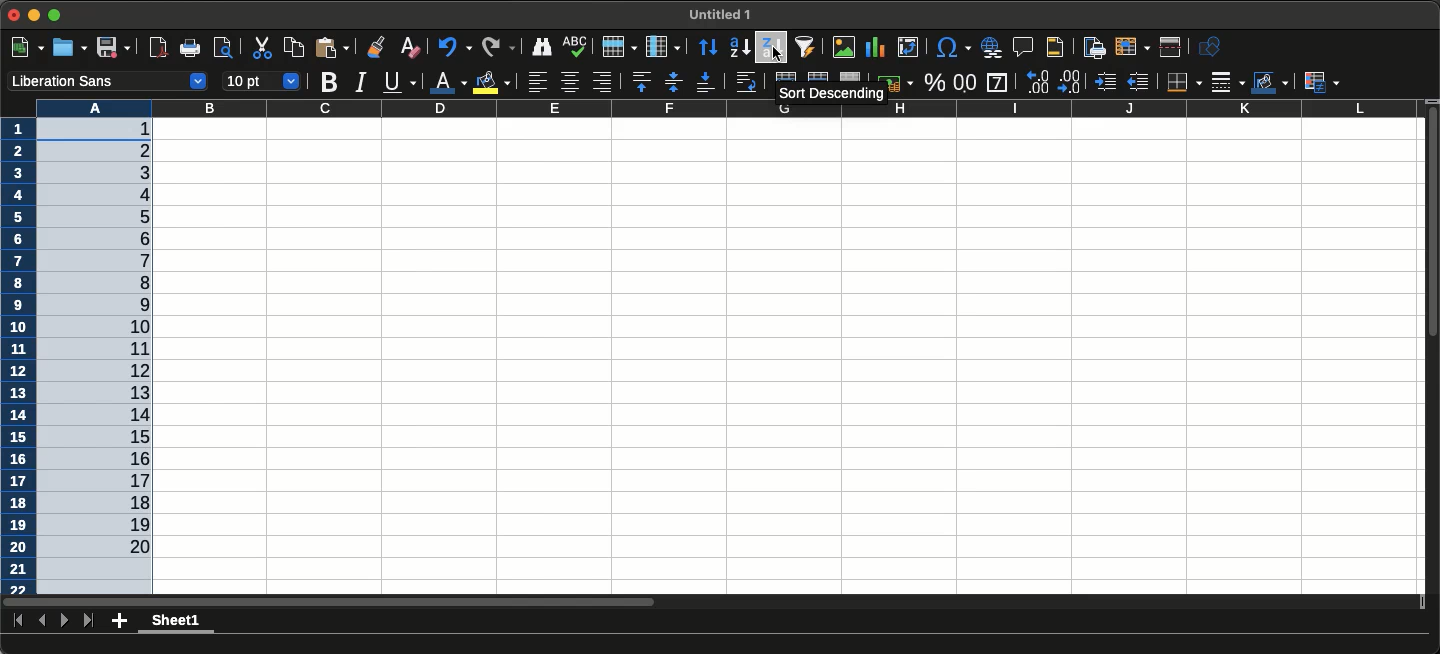 The image size is (1440, 654). Describe the element at coordinates (900, 82) in the screenshot. I see `Currency` at that location.